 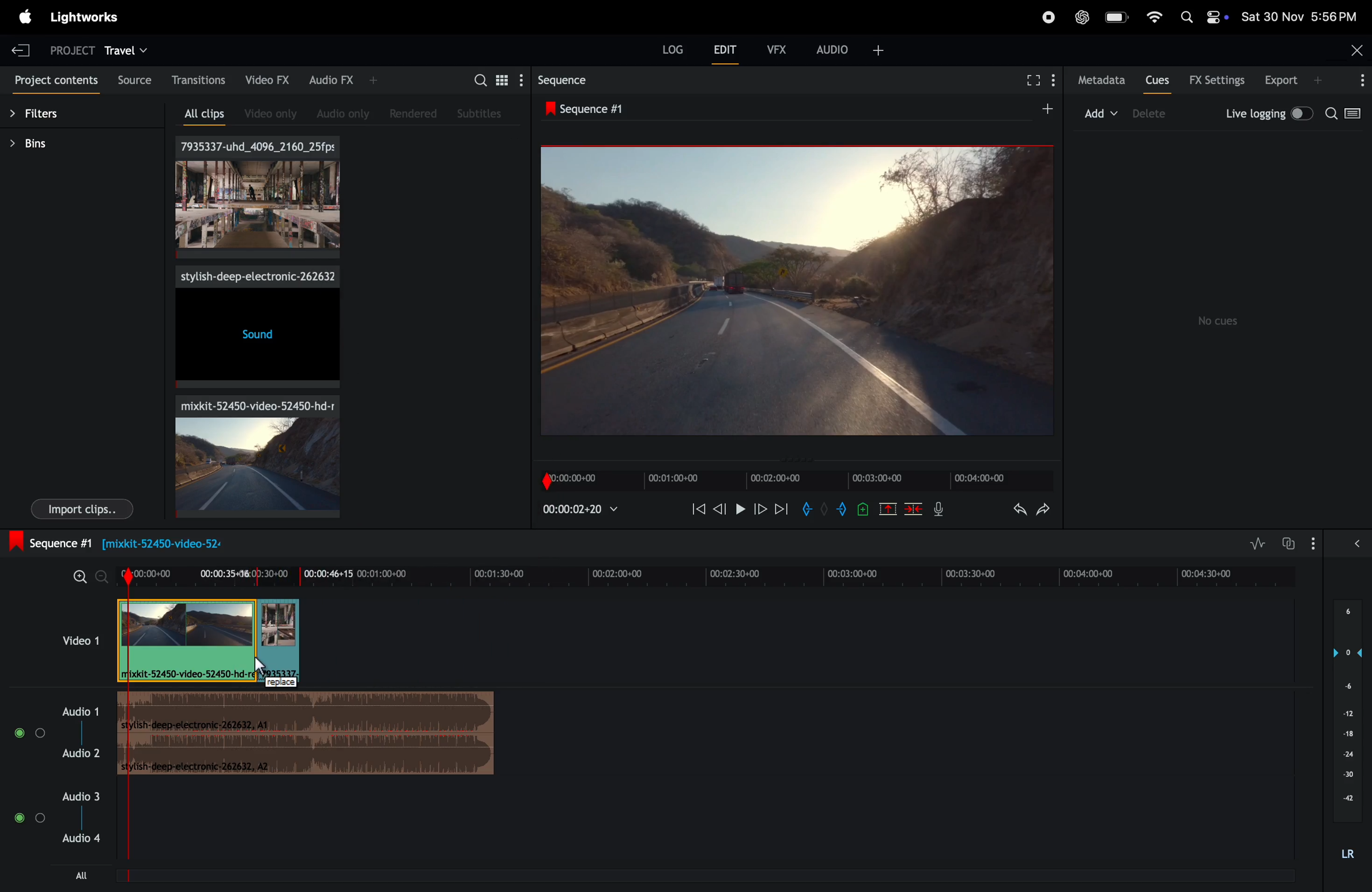 What do you see at coordinates (589, 110) in the screenshot?
I see `sequence #1` at bounding box center [589, 110].